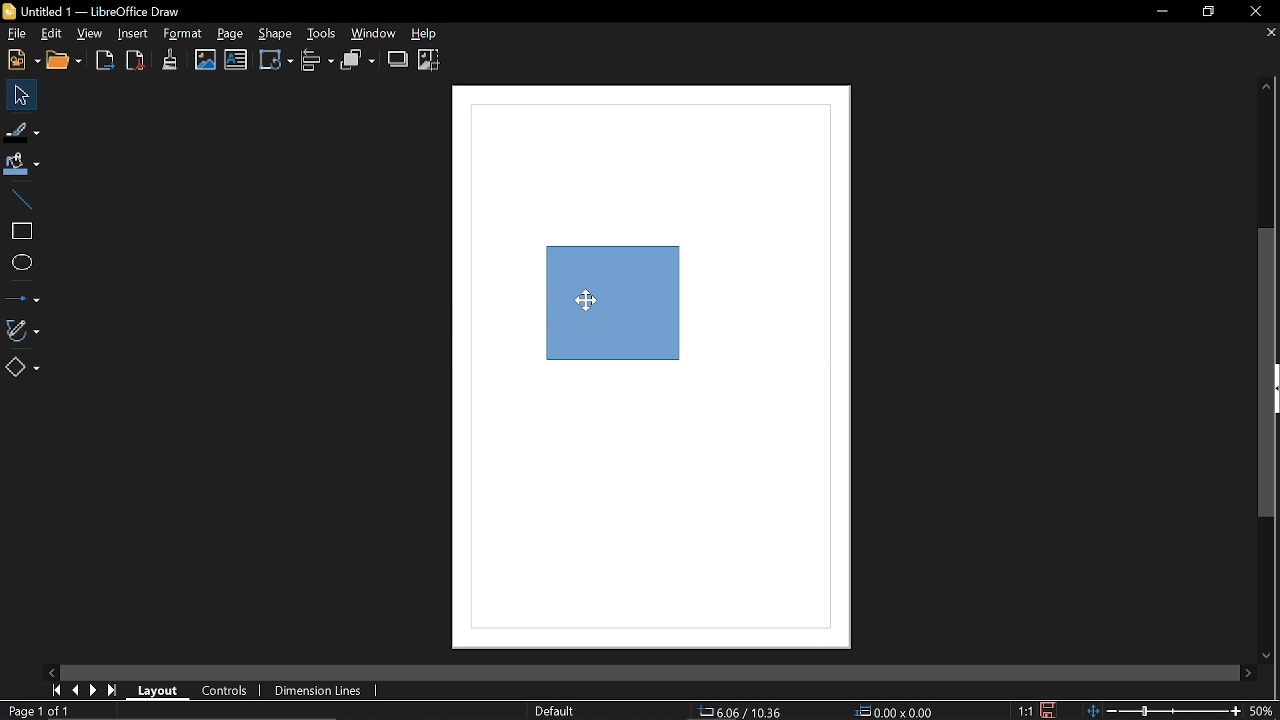  What do you see at coordinates (1050, 711) in the screenshot?
I see `Save` at bounding box center [1050, 711].